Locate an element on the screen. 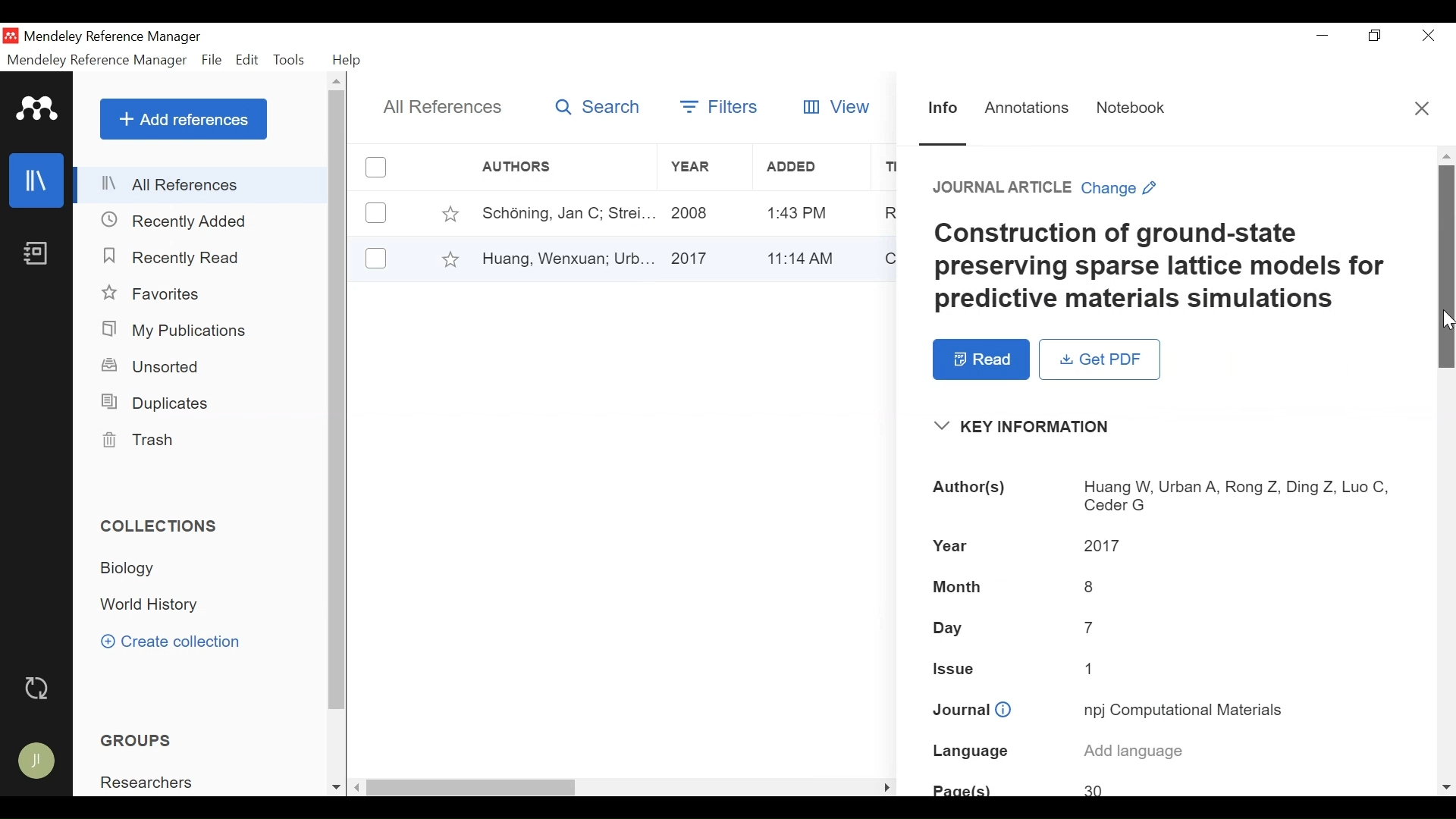 The image size is (1456, 819). Restore is located at coordinates (1377, 36).